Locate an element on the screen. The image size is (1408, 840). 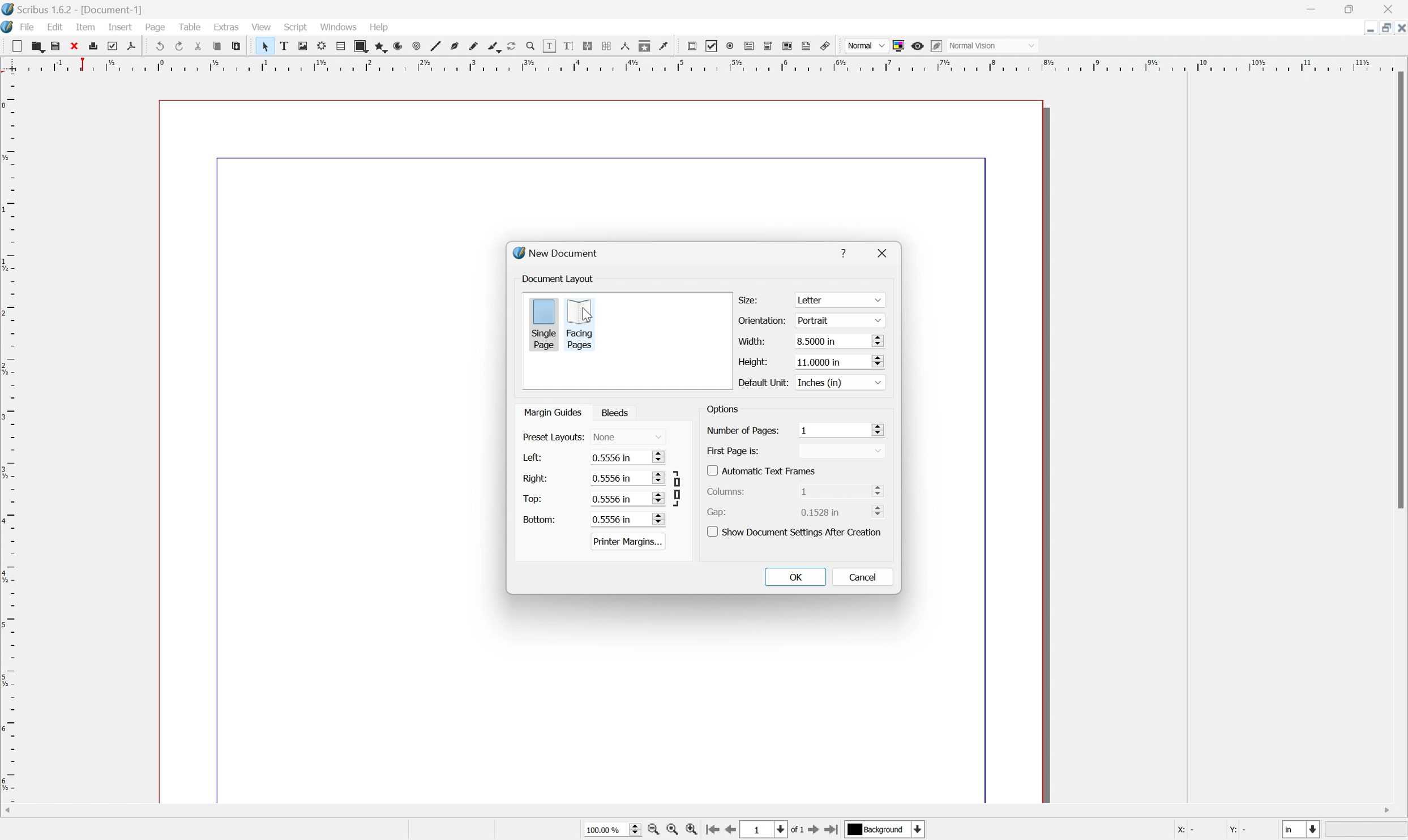
Background is located at coordinates (885, 830).